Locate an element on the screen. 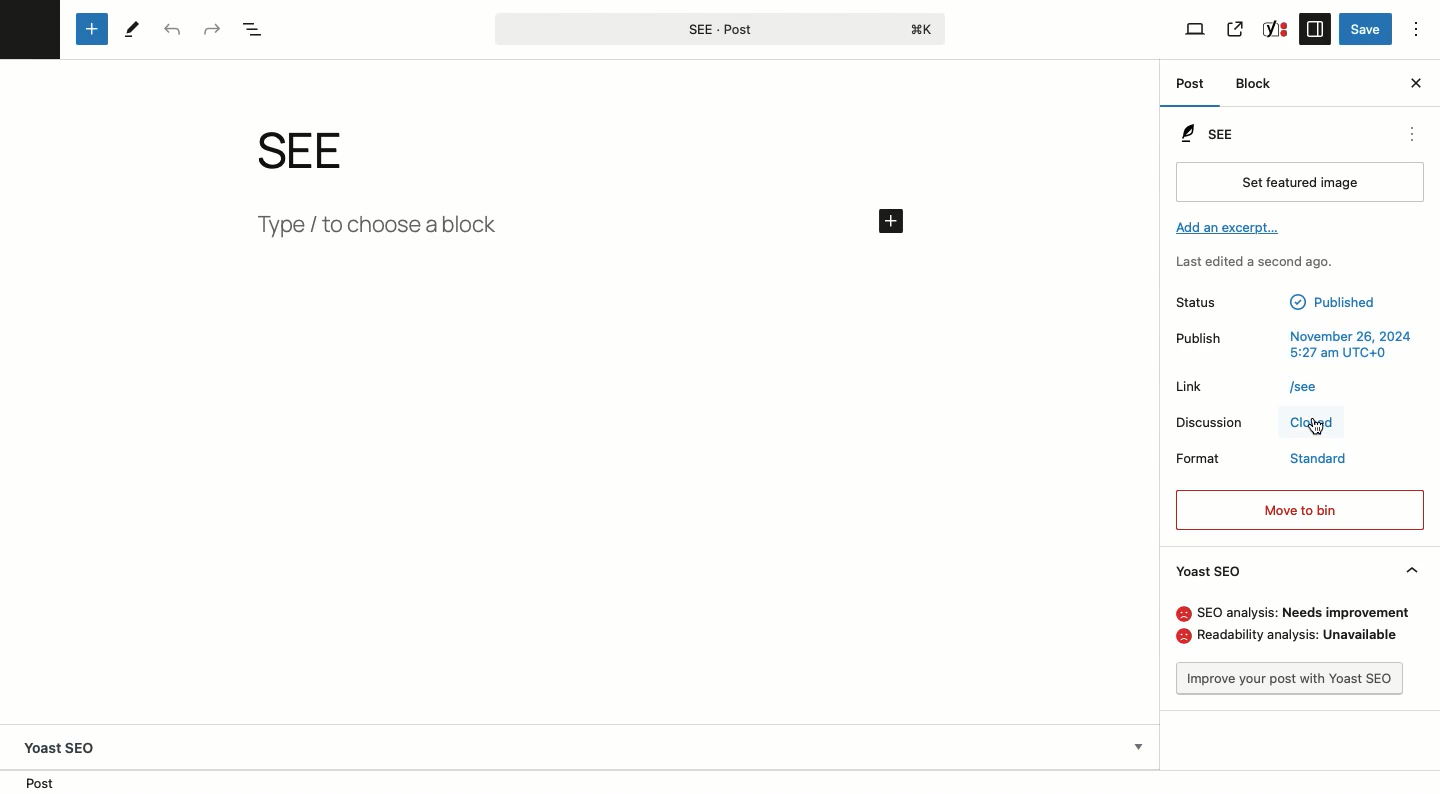 The height and width of the screenshot is (794, 1440). Show is located at coordinates (1137, 743).